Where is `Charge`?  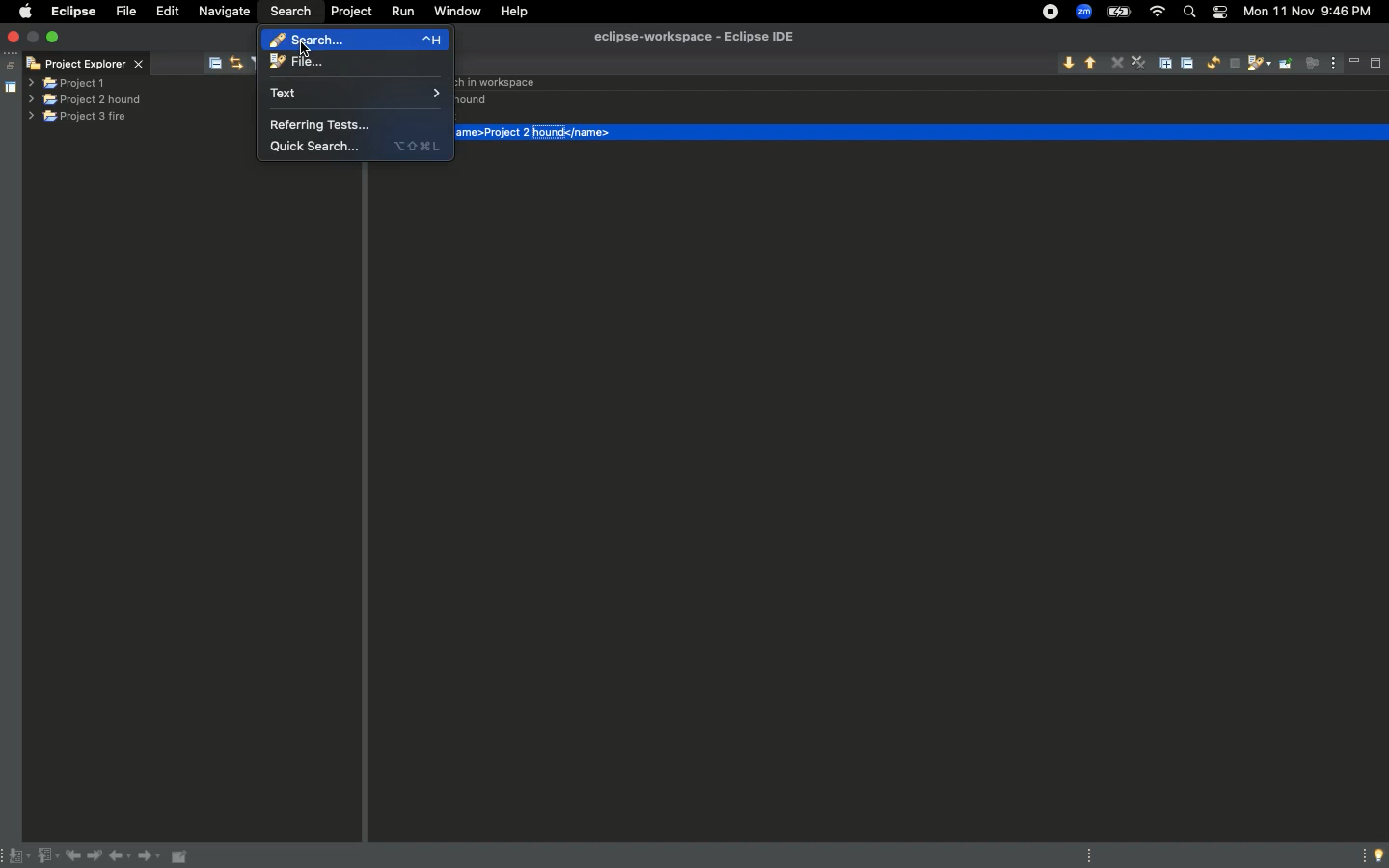 Charge is located at coordinates (1118, 12).